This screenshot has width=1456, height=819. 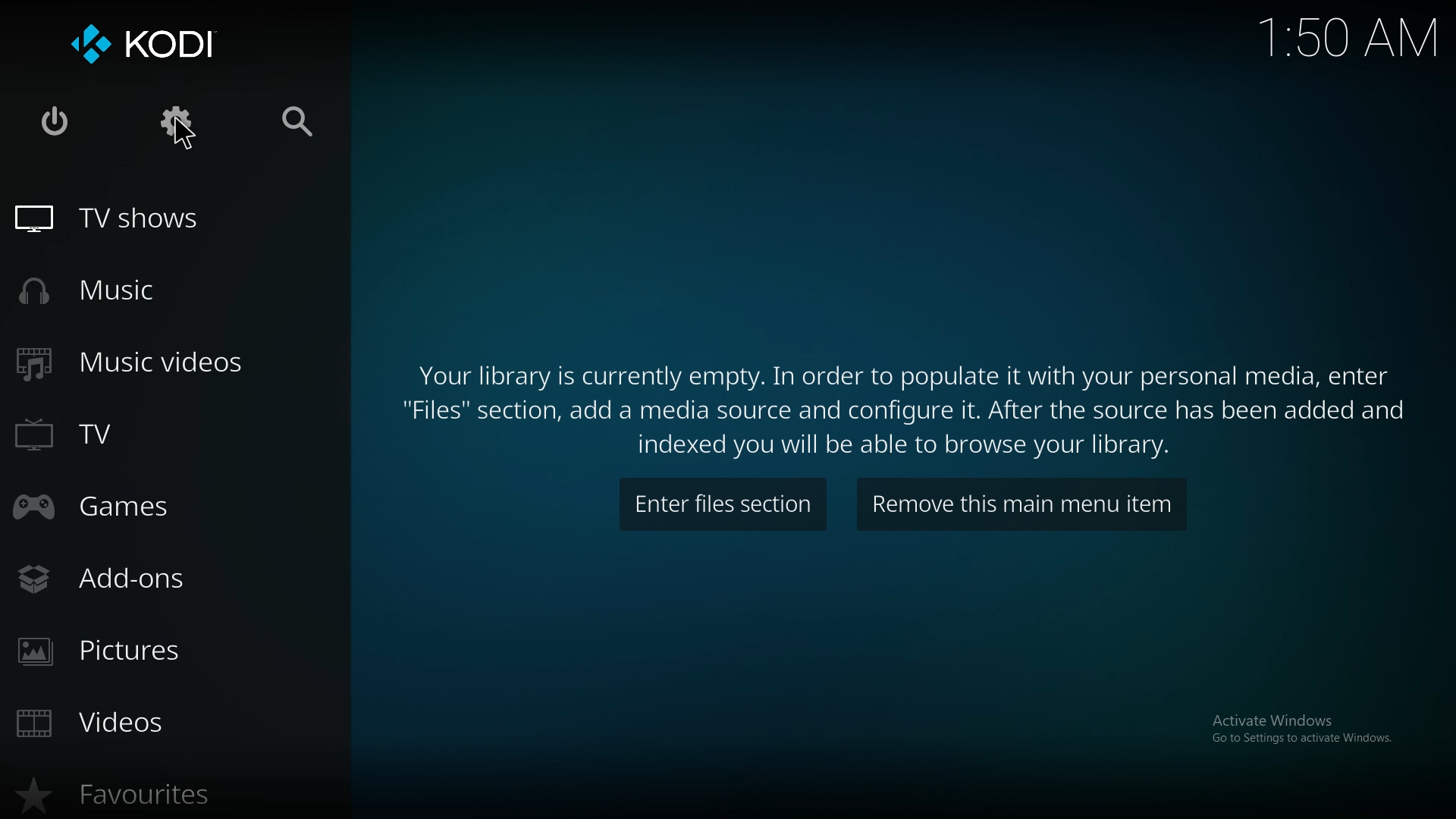 I want to click on tv shows, so click(x=121, y=219).